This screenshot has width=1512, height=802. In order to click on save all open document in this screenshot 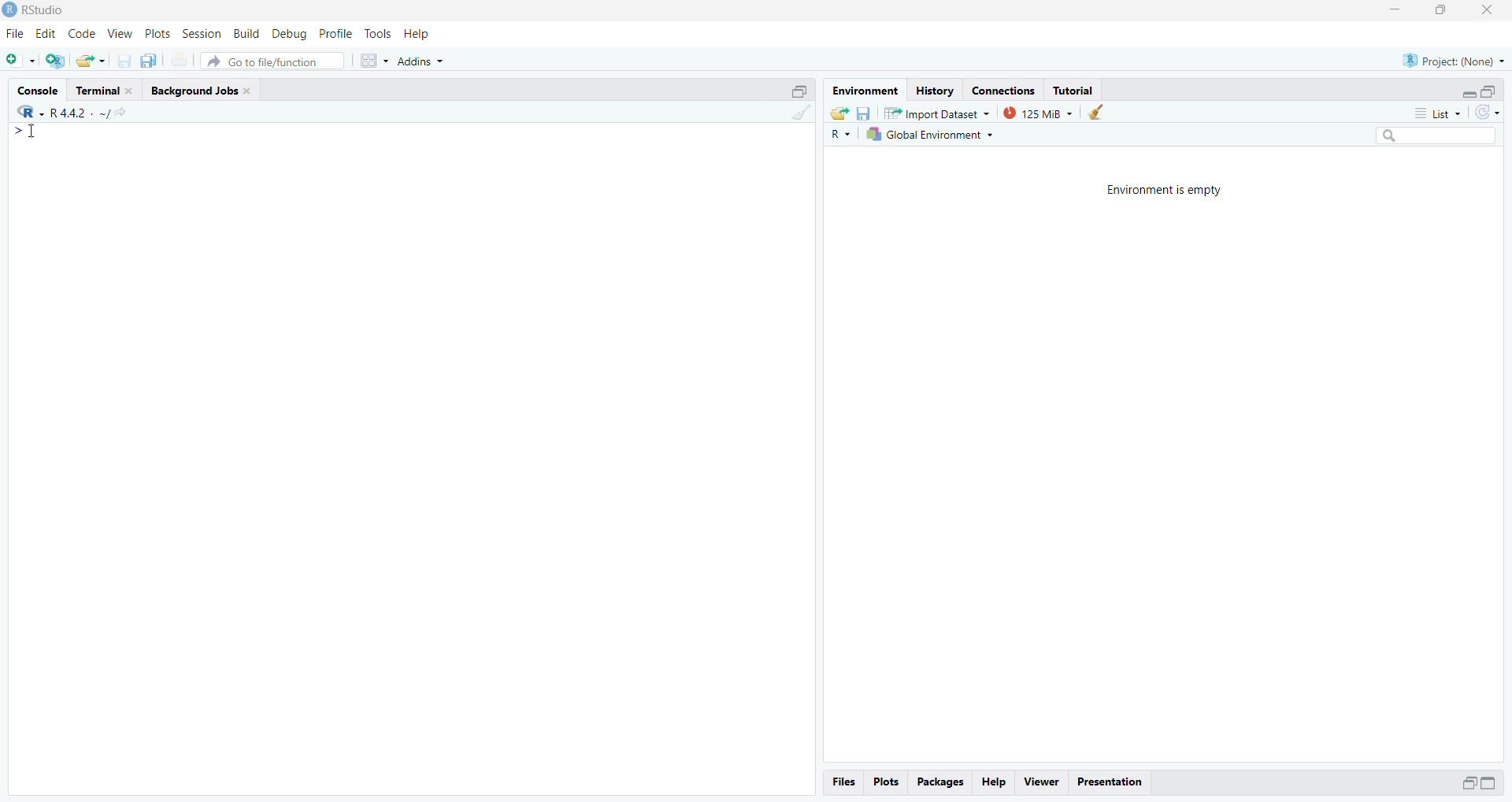, I will do `click(151, 61)`.